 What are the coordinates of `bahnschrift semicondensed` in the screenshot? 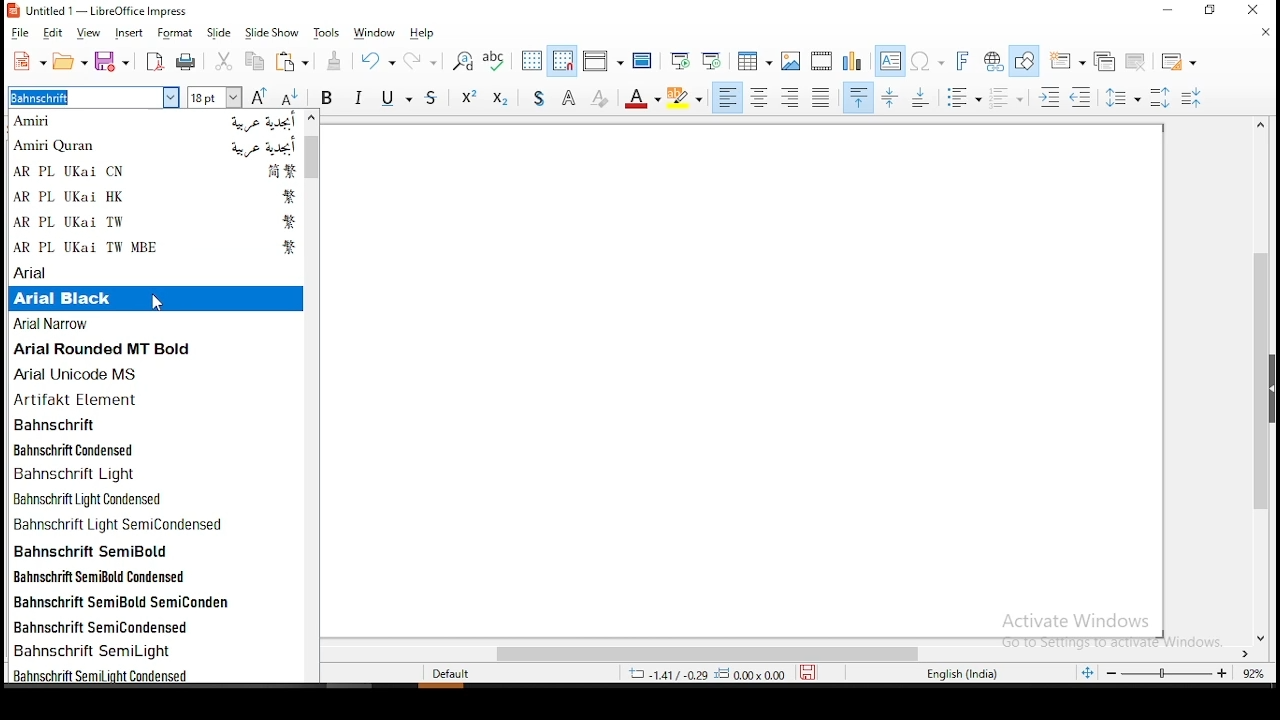 It's located at (153, 626).